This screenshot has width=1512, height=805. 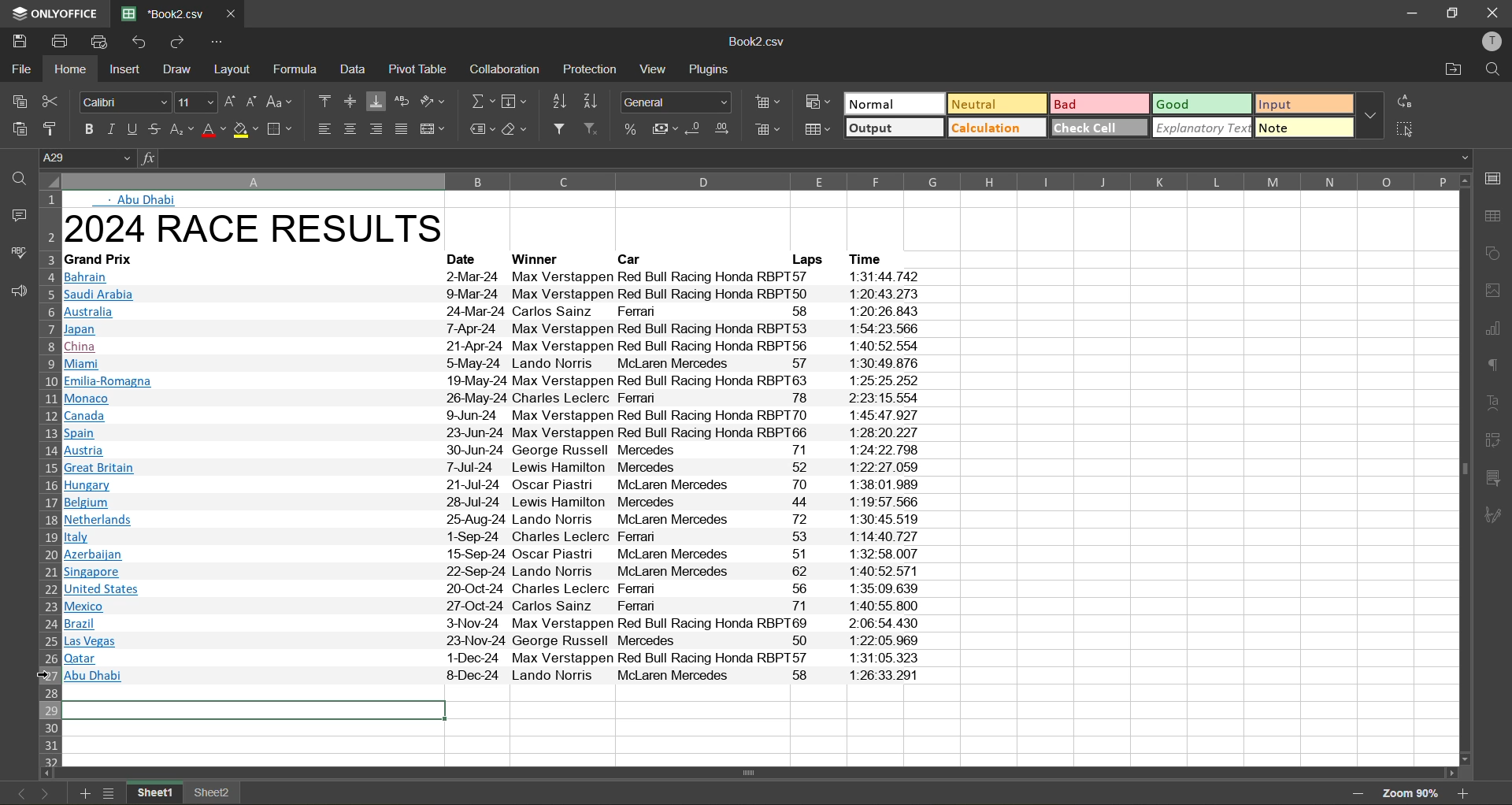 What do you see at coordinates (250, 102) in the screenshot?
I see `decrement size` at bounding box center [250, 102].